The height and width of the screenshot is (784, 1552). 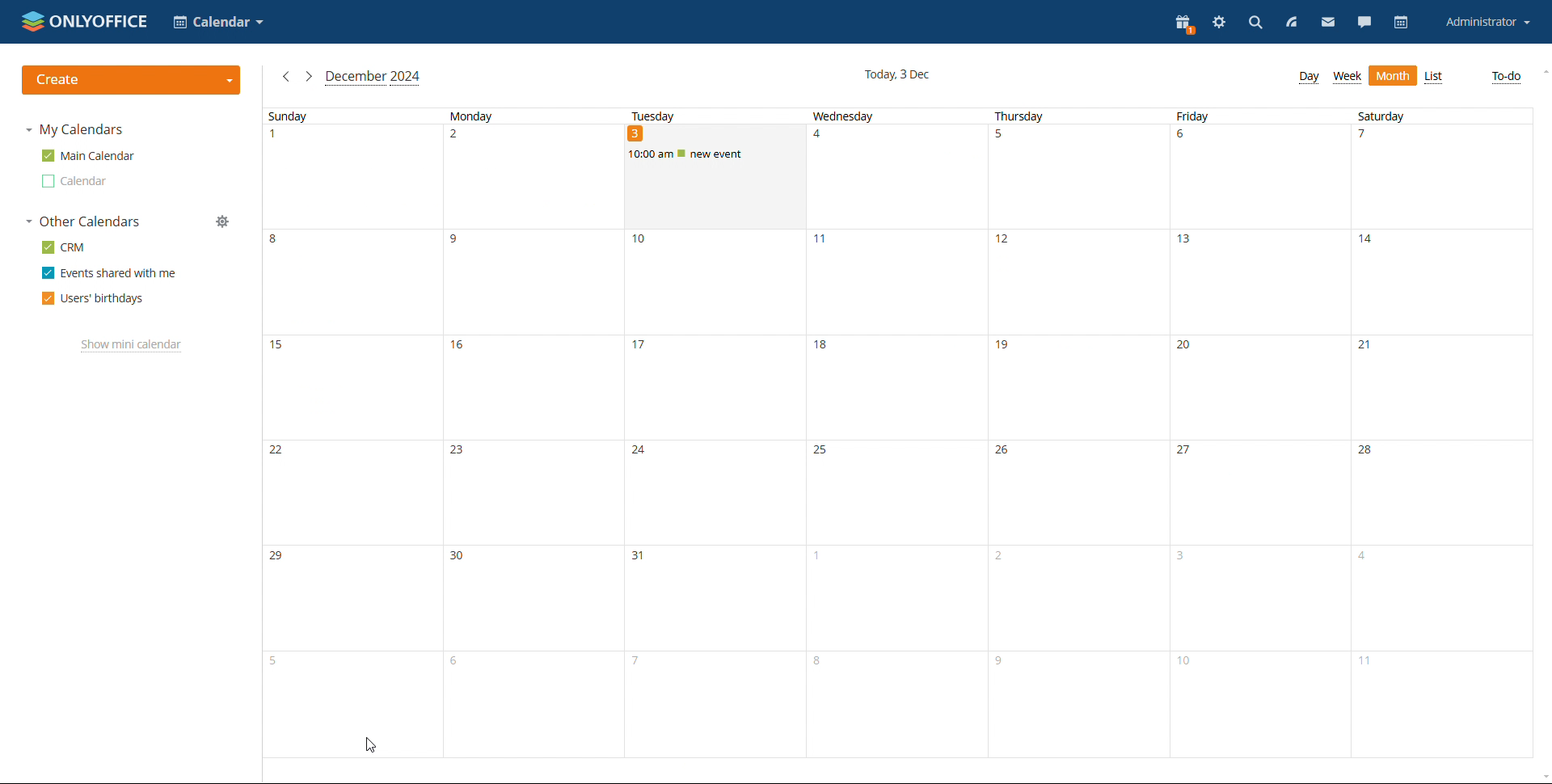 What do you see at coordinates (1291, 23) in the screenshot?
I see `feed` at bounding box center [1291, 23].